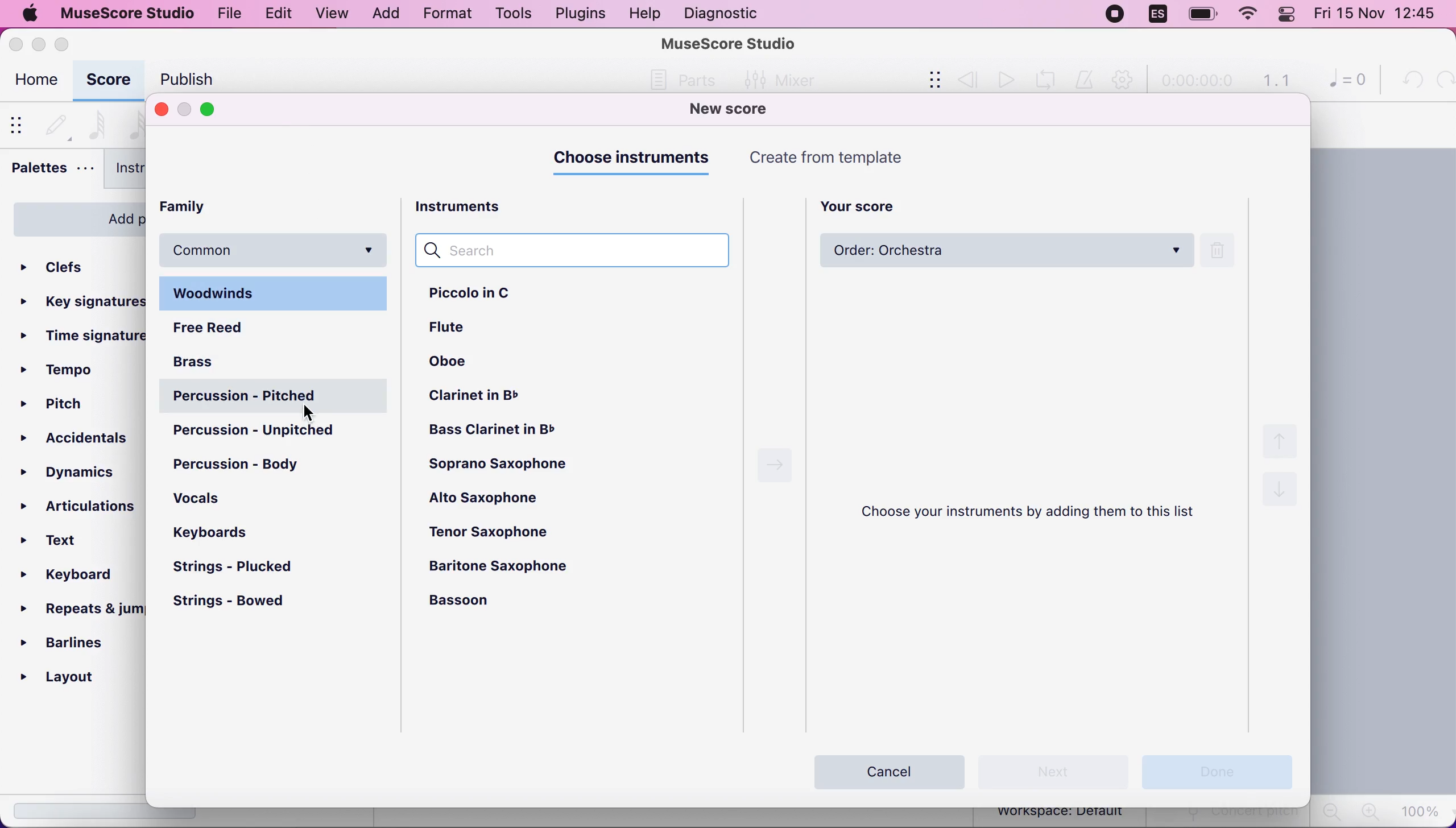 The image size is (1456, 828). What do you see at coordinates (1086, 80) in the screenshot?
I see `metronome` at bounding box center [1086, 80].